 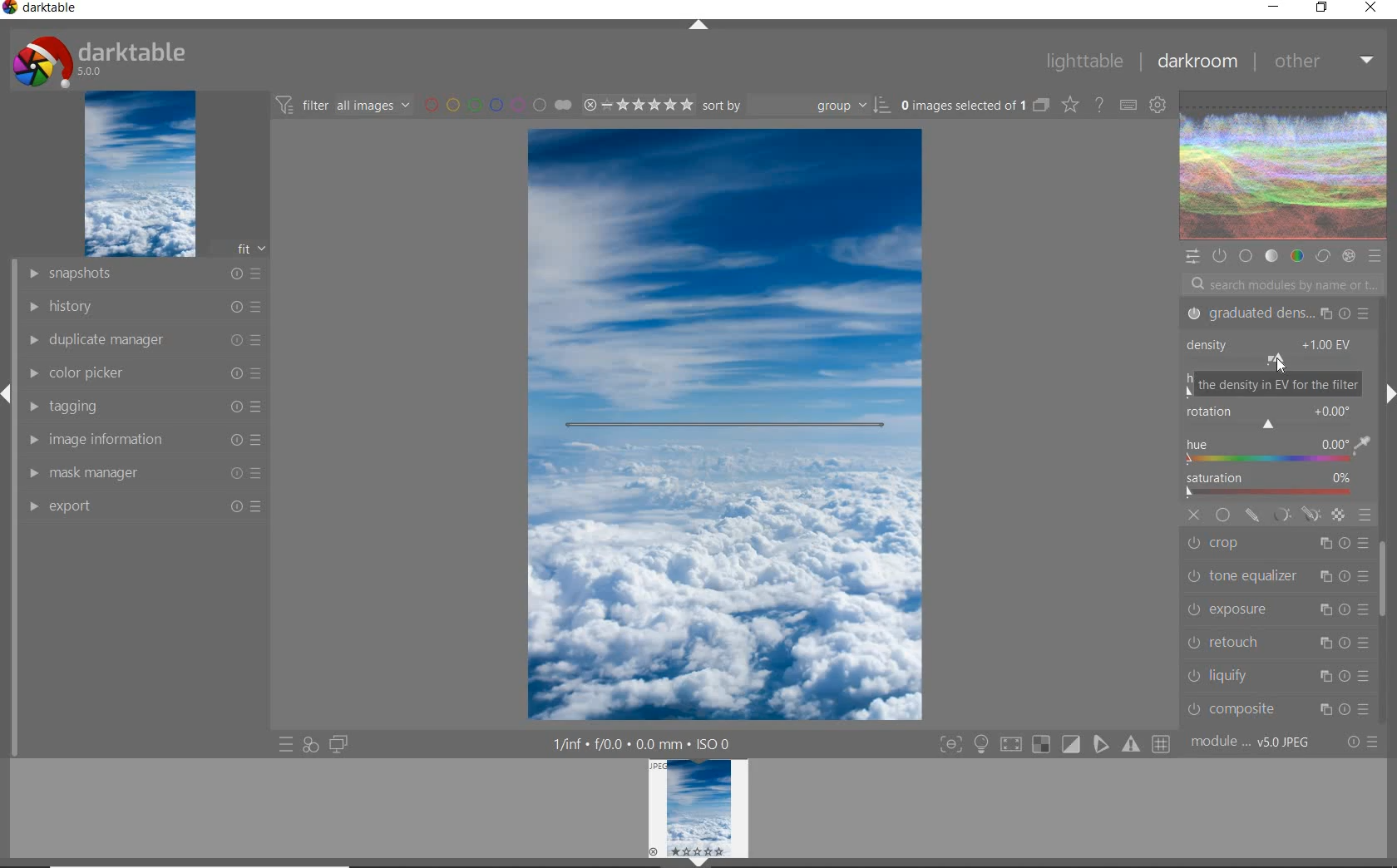 What do you see at coordinates (1361, 741) in the screenshot?
I see `RESET OR PRESET & PREFERENCE` at bounding box center [1361, 741].